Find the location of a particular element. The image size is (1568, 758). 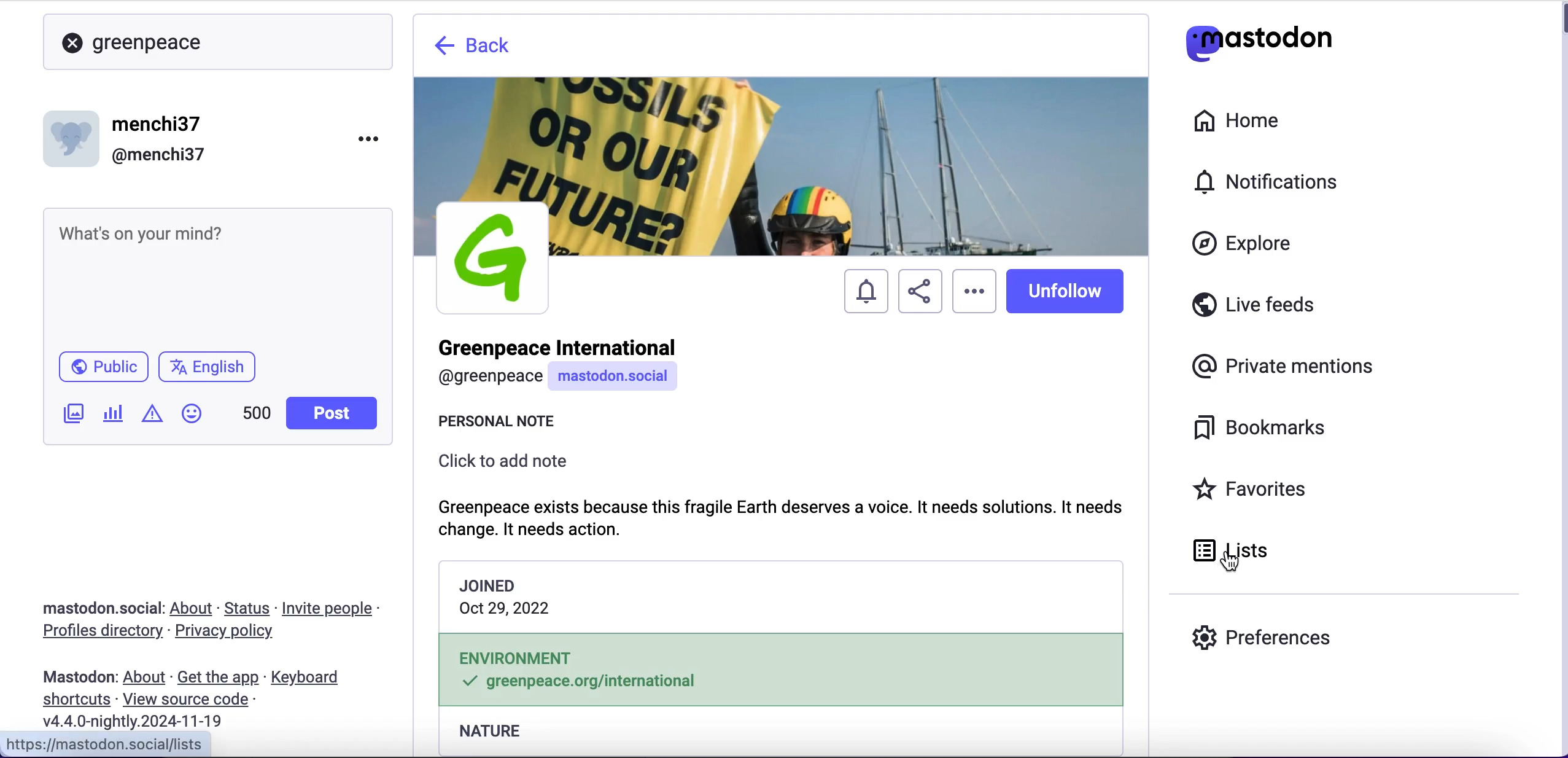

view source code is located at coordinates (190, 700).